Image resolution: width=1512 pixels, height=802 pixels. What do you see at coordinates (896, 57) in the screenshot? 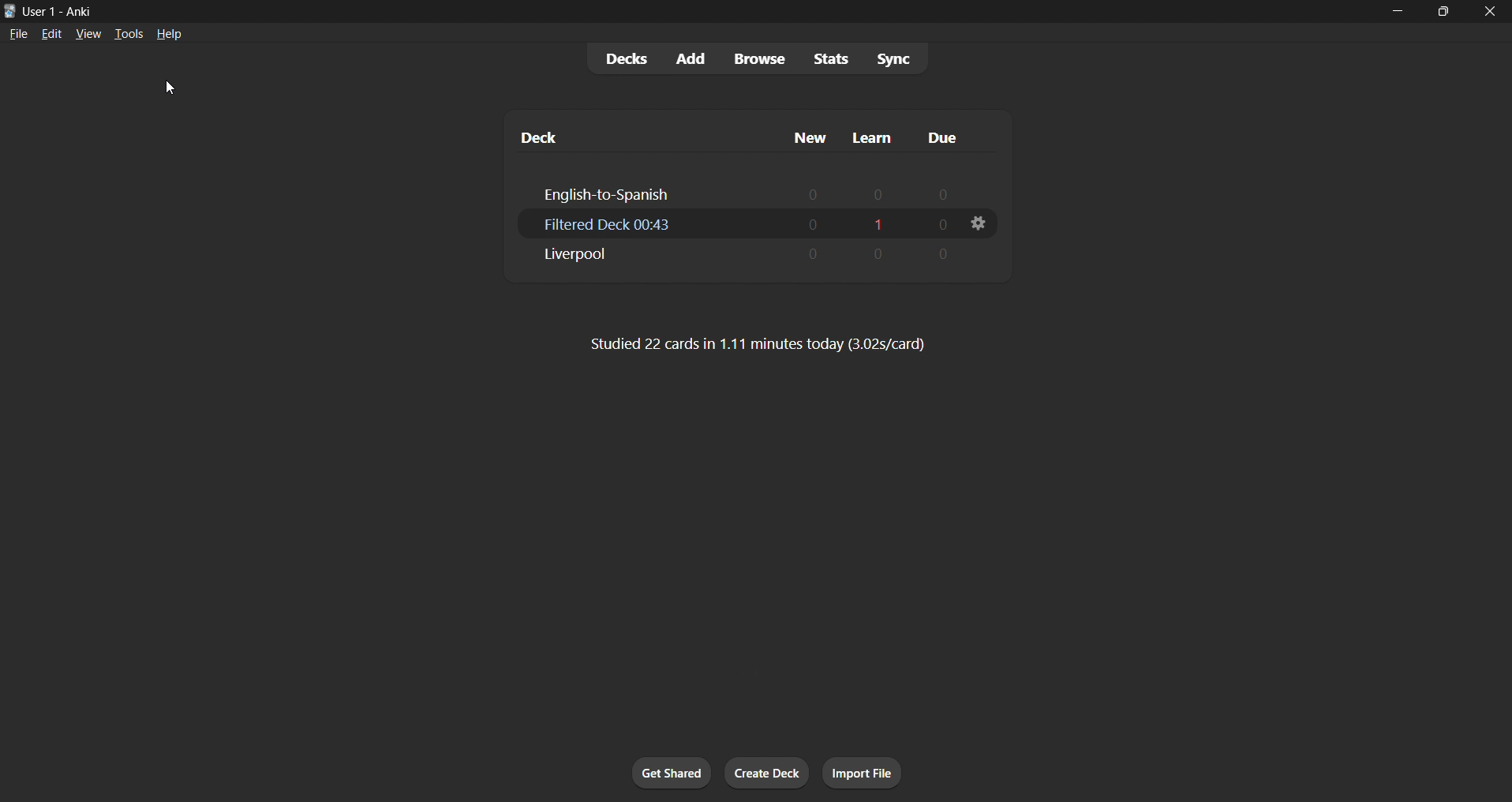
I see `sync` at bounding box center [896, 57].